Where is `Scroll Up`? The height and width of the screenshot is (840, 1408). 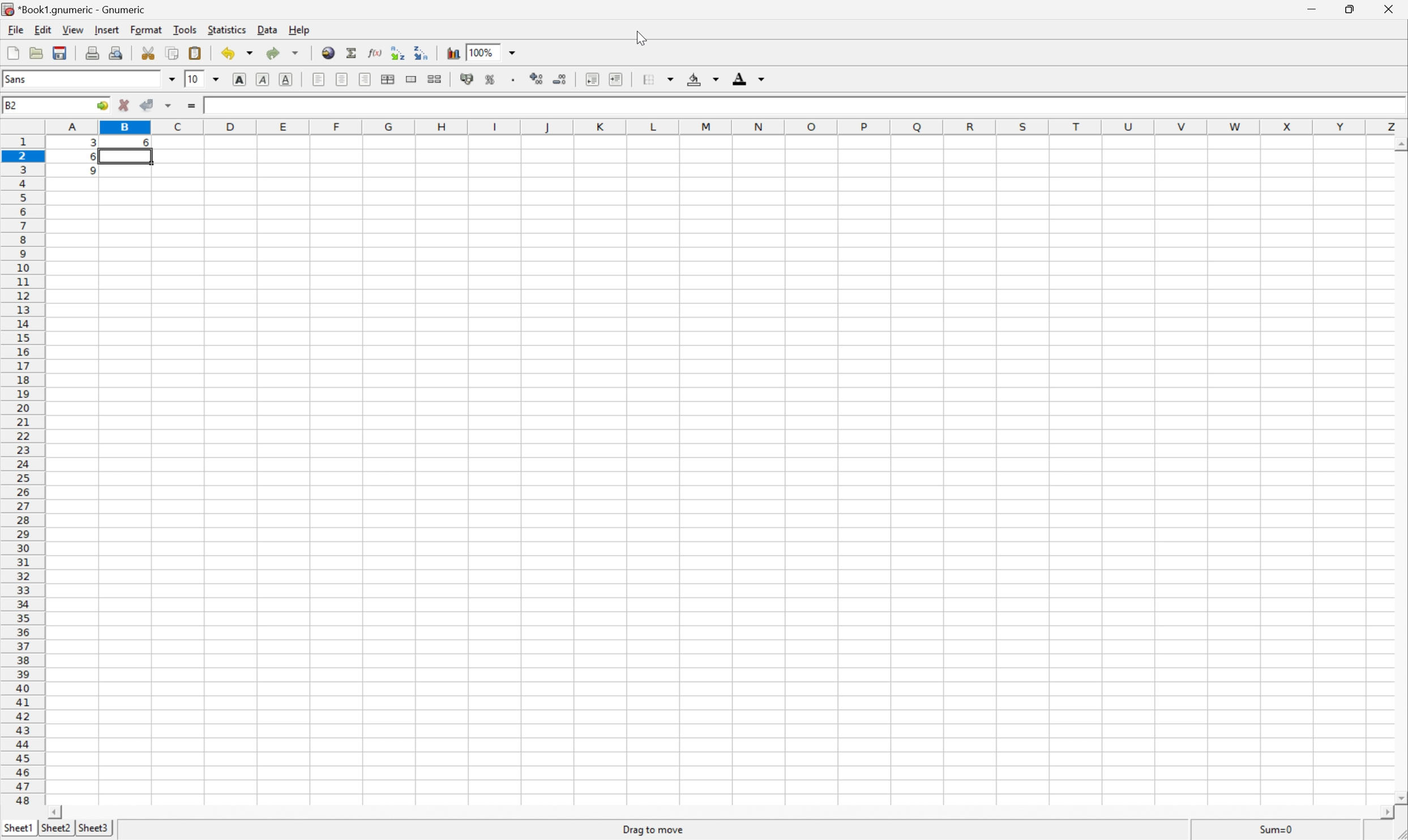
Scroll Up is located at coordinates (1399, 144).